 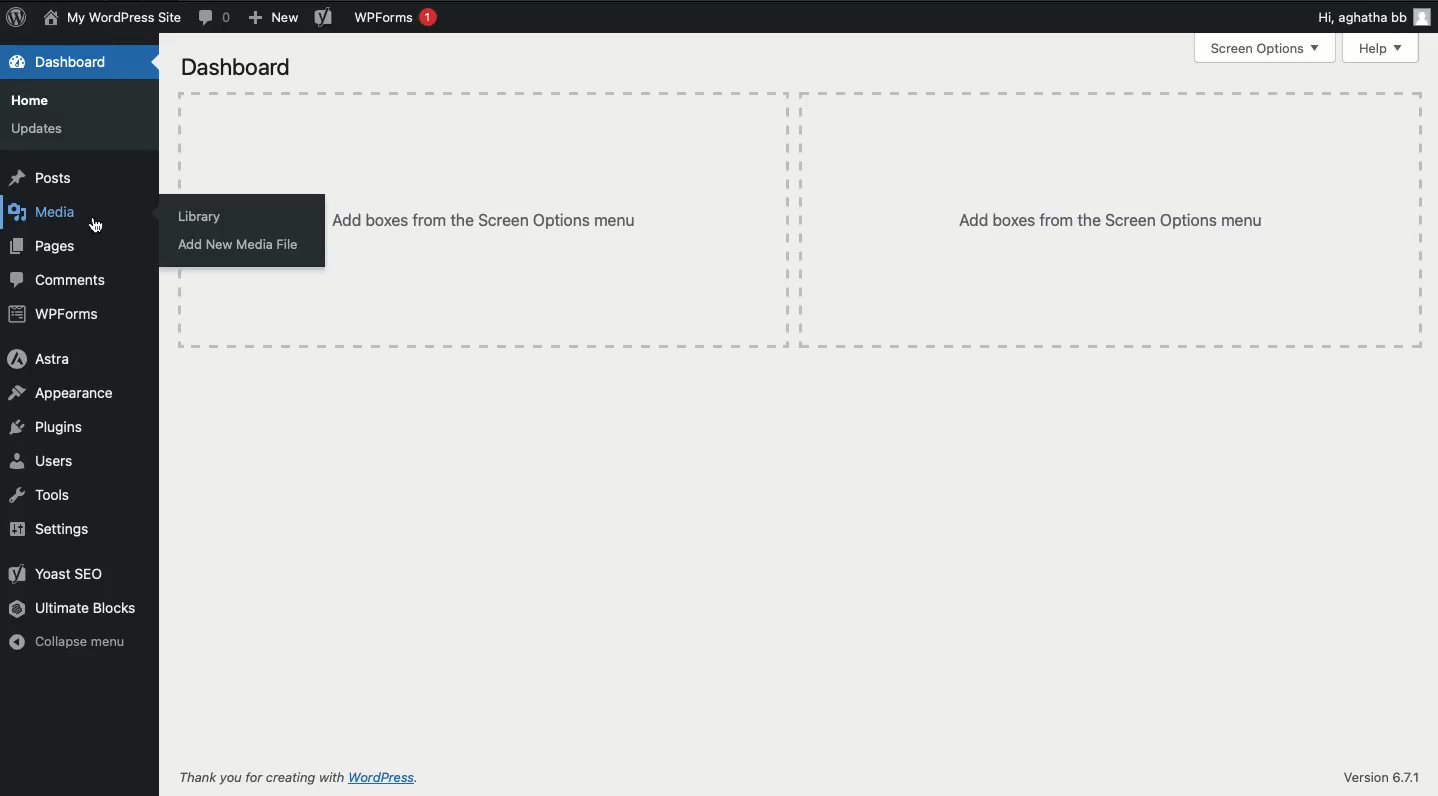 What do you see at coordinates (275, 20) in the screenshot?
I see `New` at bounding box center [275, 20].